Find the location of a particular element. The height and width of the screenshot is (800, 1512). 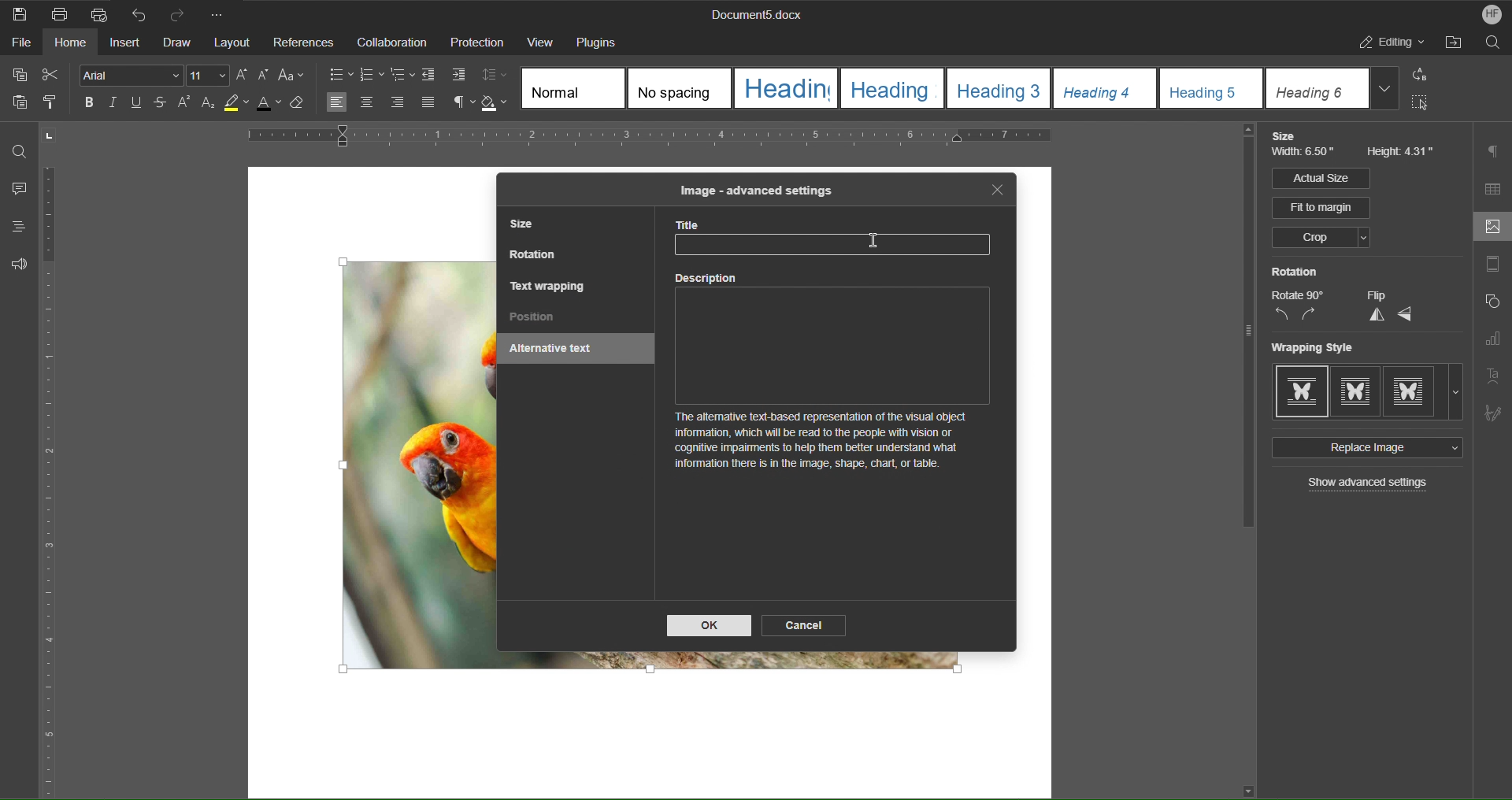

Paragraph Settings is located at coordinates (1495, 151).